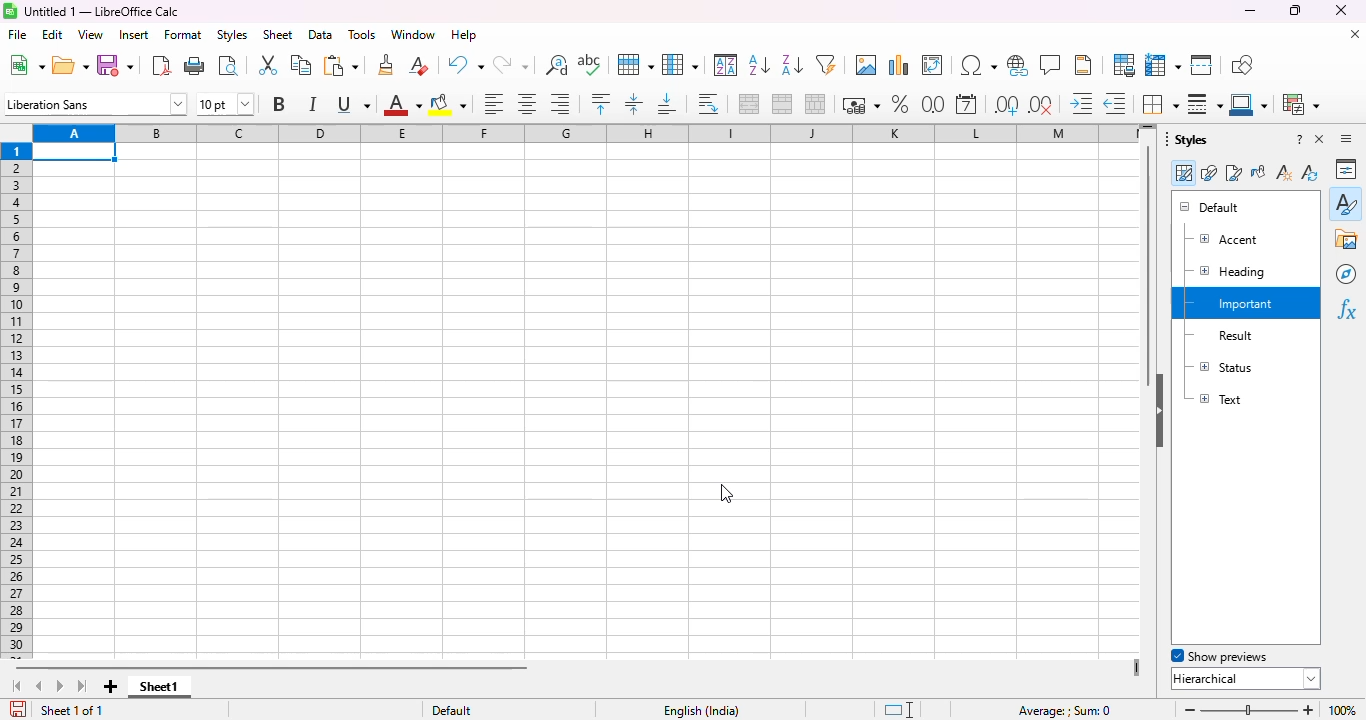  I want to click on new, so click(25, 65).